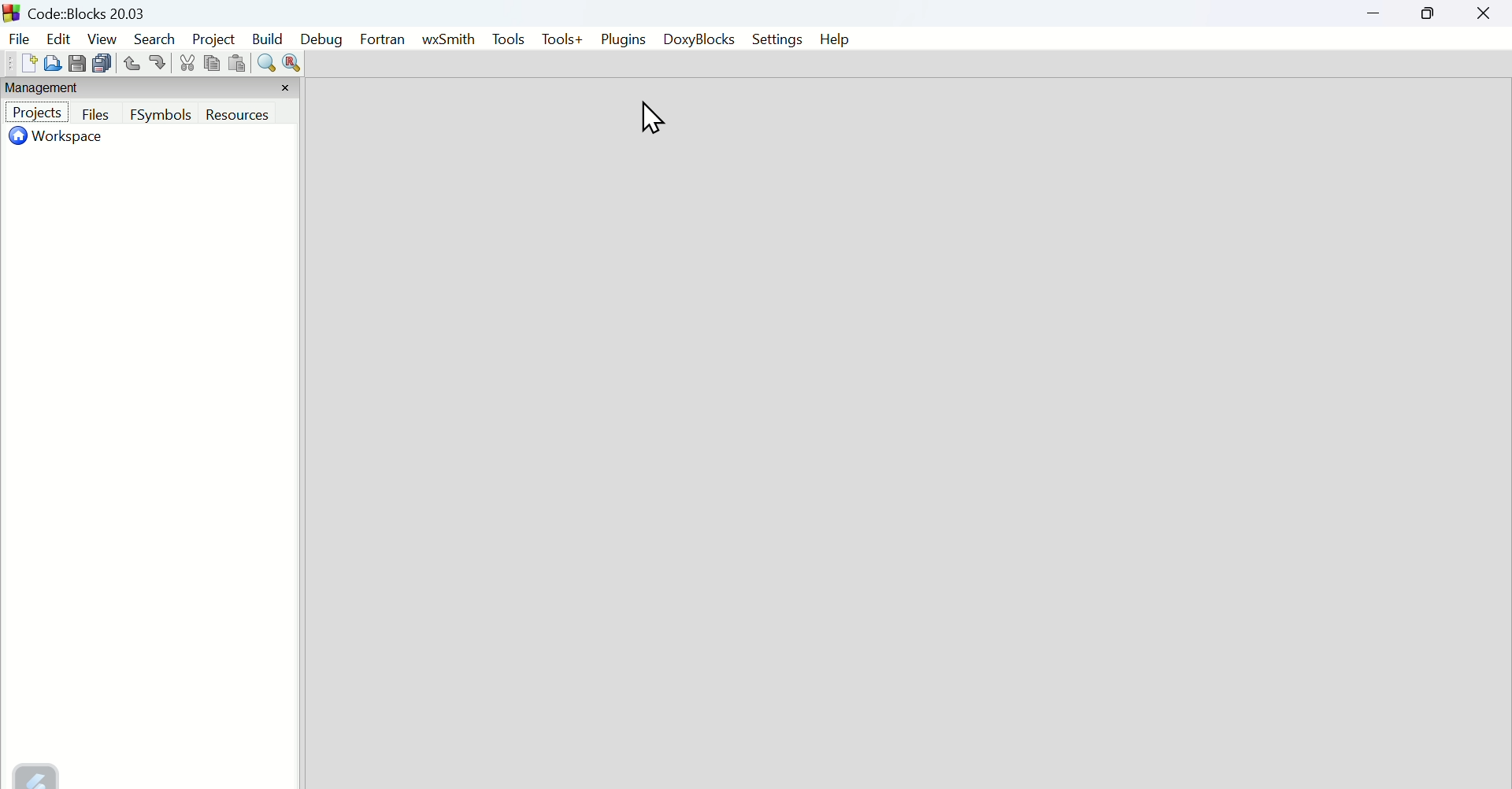 This screenshot has width=1512, height=789. I want to click on Management, so click(42, 87).